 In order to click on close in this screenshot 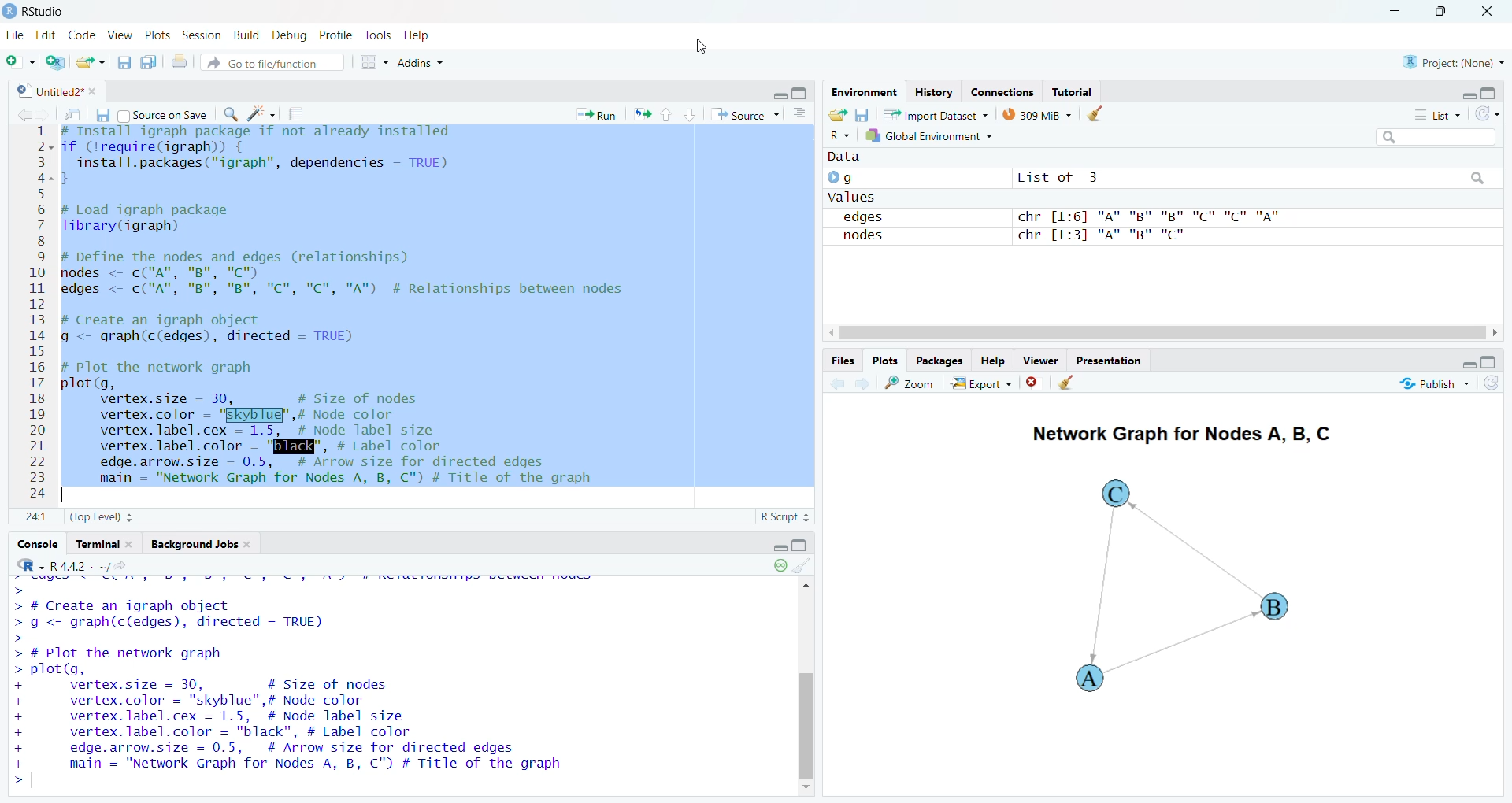, I will do `click(1029, 386)`.